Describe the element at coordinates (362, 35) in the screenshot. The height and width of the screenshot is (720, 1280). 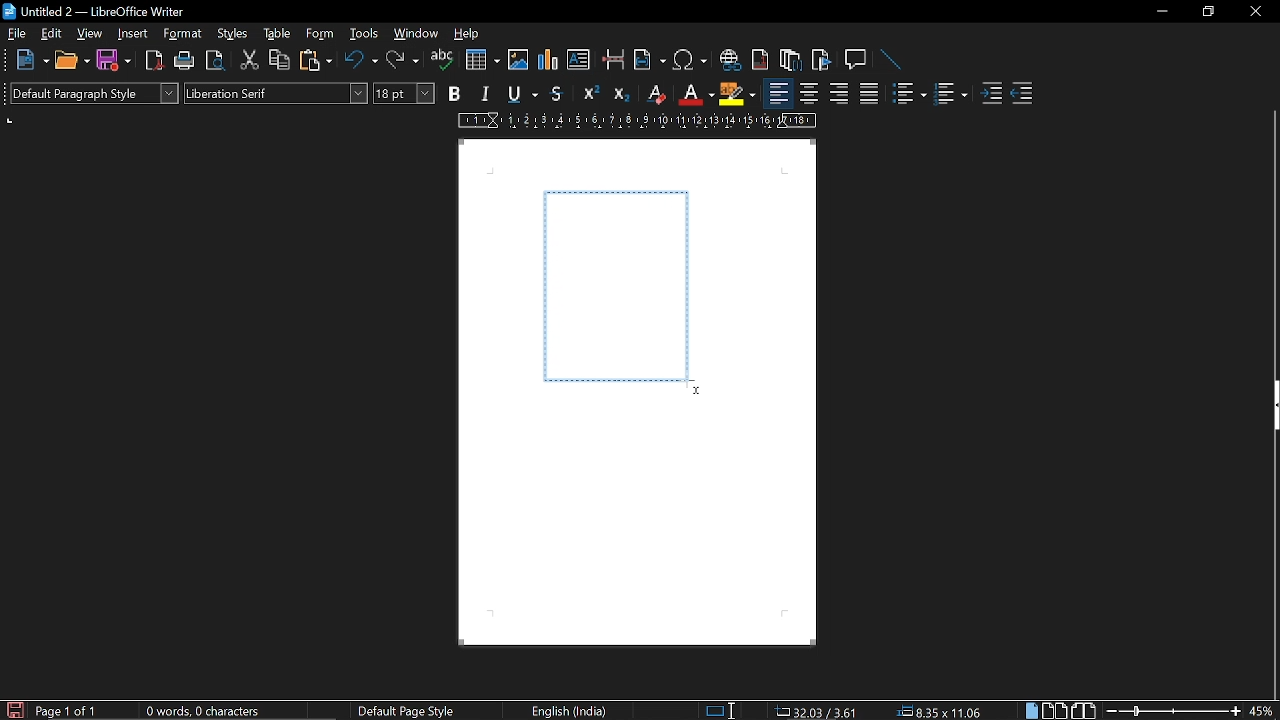
I see `tools` at that location.